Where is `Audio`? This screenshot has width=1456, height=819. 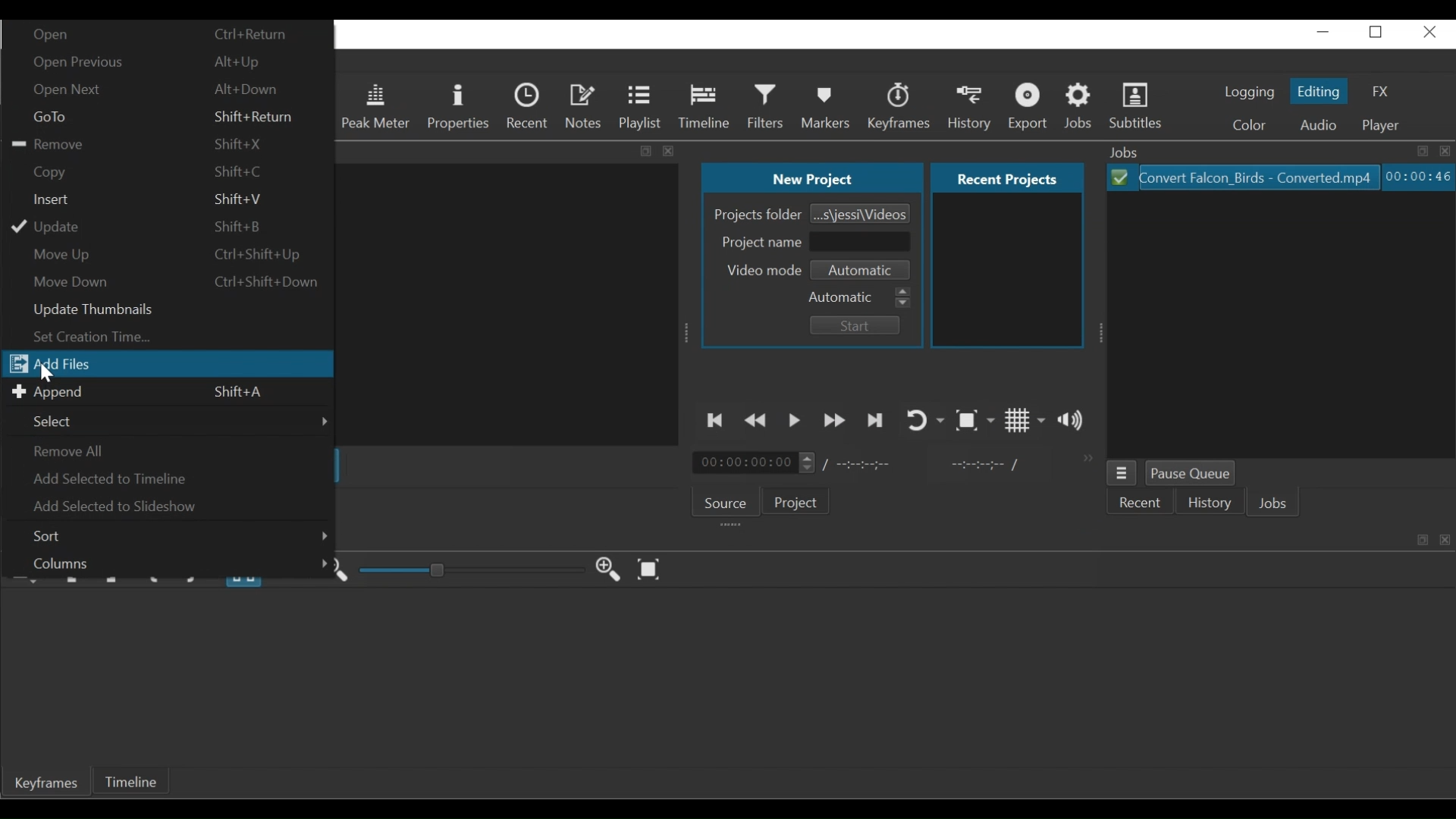 Audio is located at coordinates (1321, 125).